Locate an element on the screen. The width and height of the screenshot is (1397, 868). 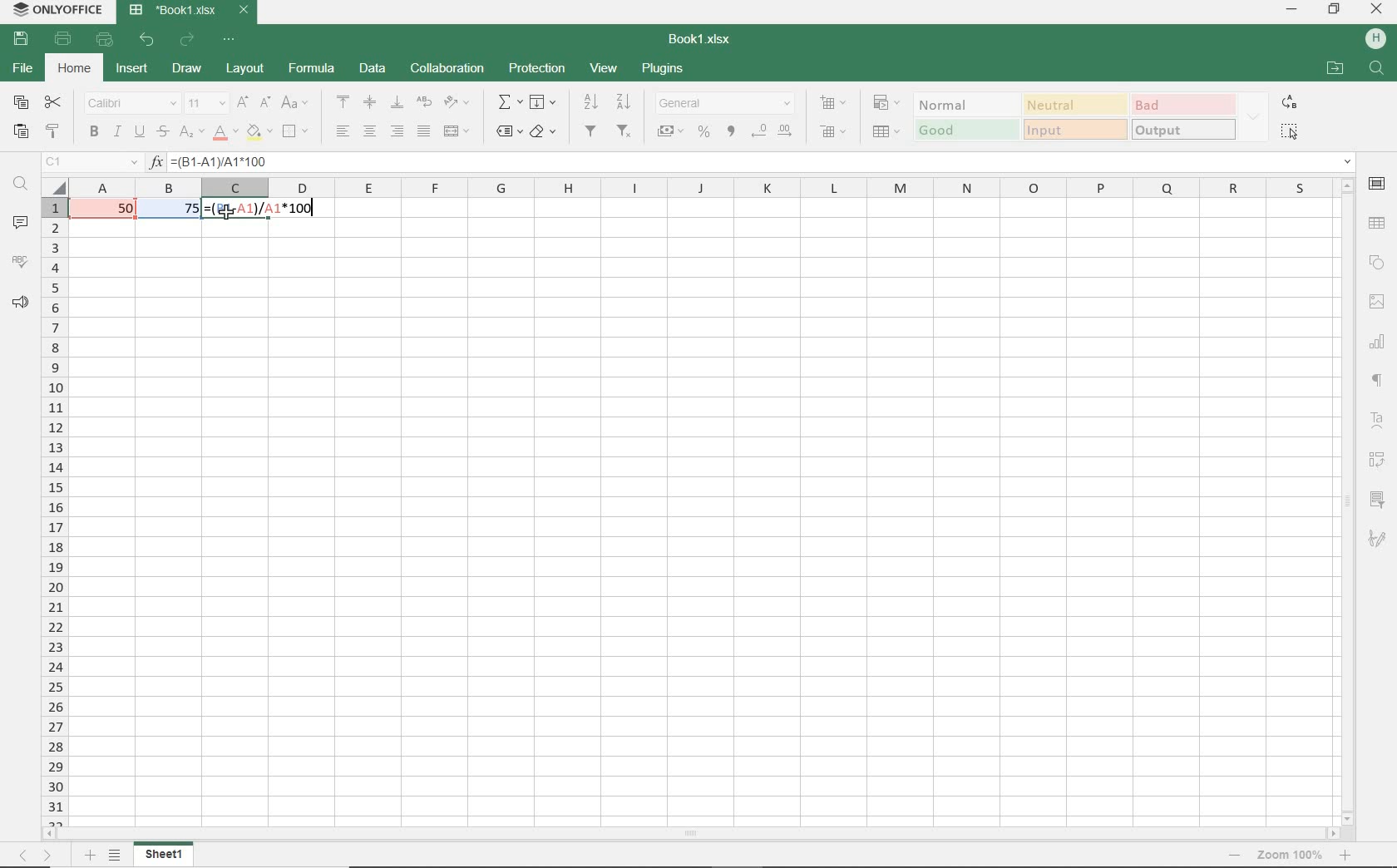
wrap text is located at coordinates (422, 102).